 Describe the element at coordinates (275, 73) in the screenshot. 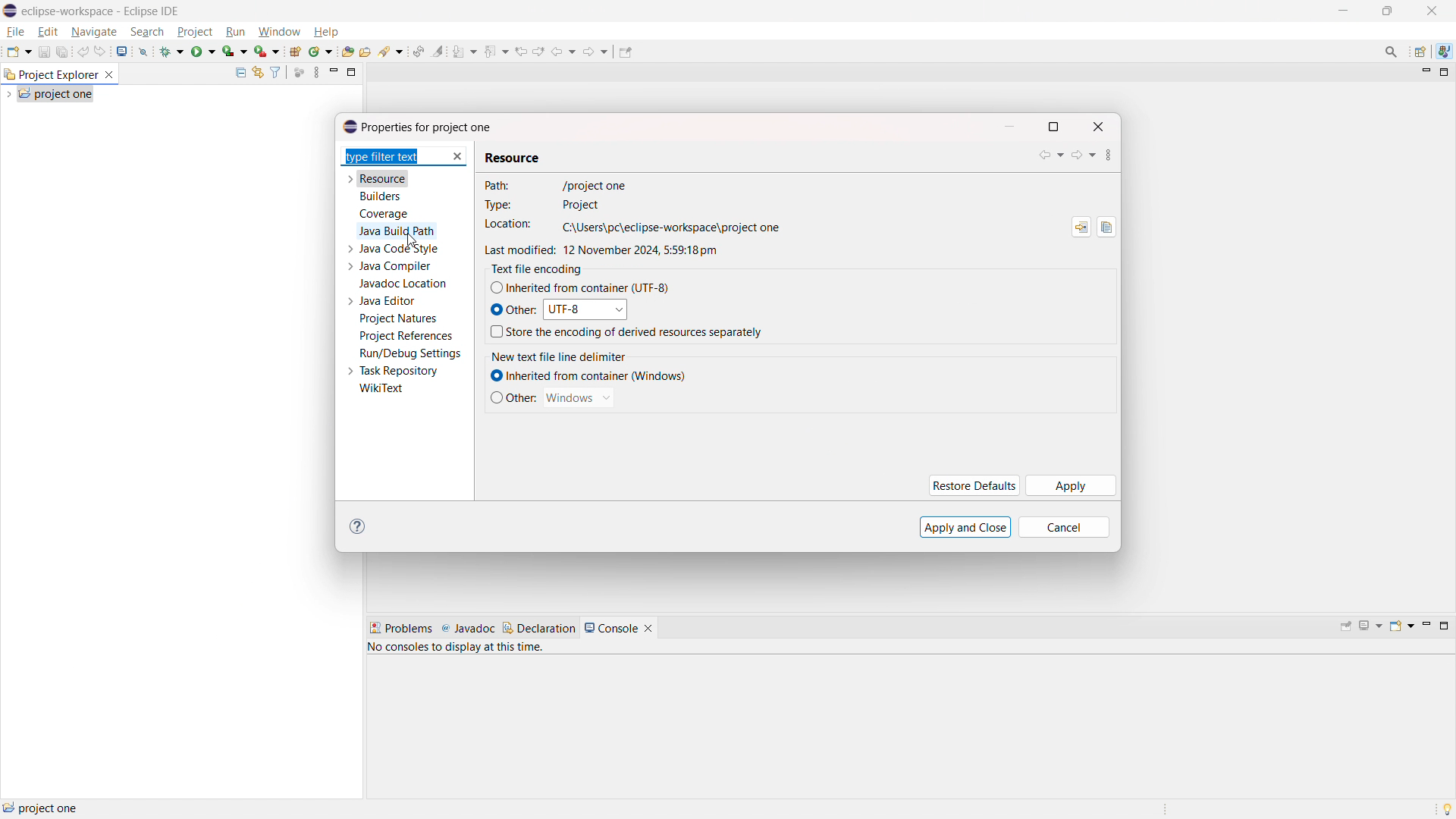

I see `select and deselect filters` at that location.